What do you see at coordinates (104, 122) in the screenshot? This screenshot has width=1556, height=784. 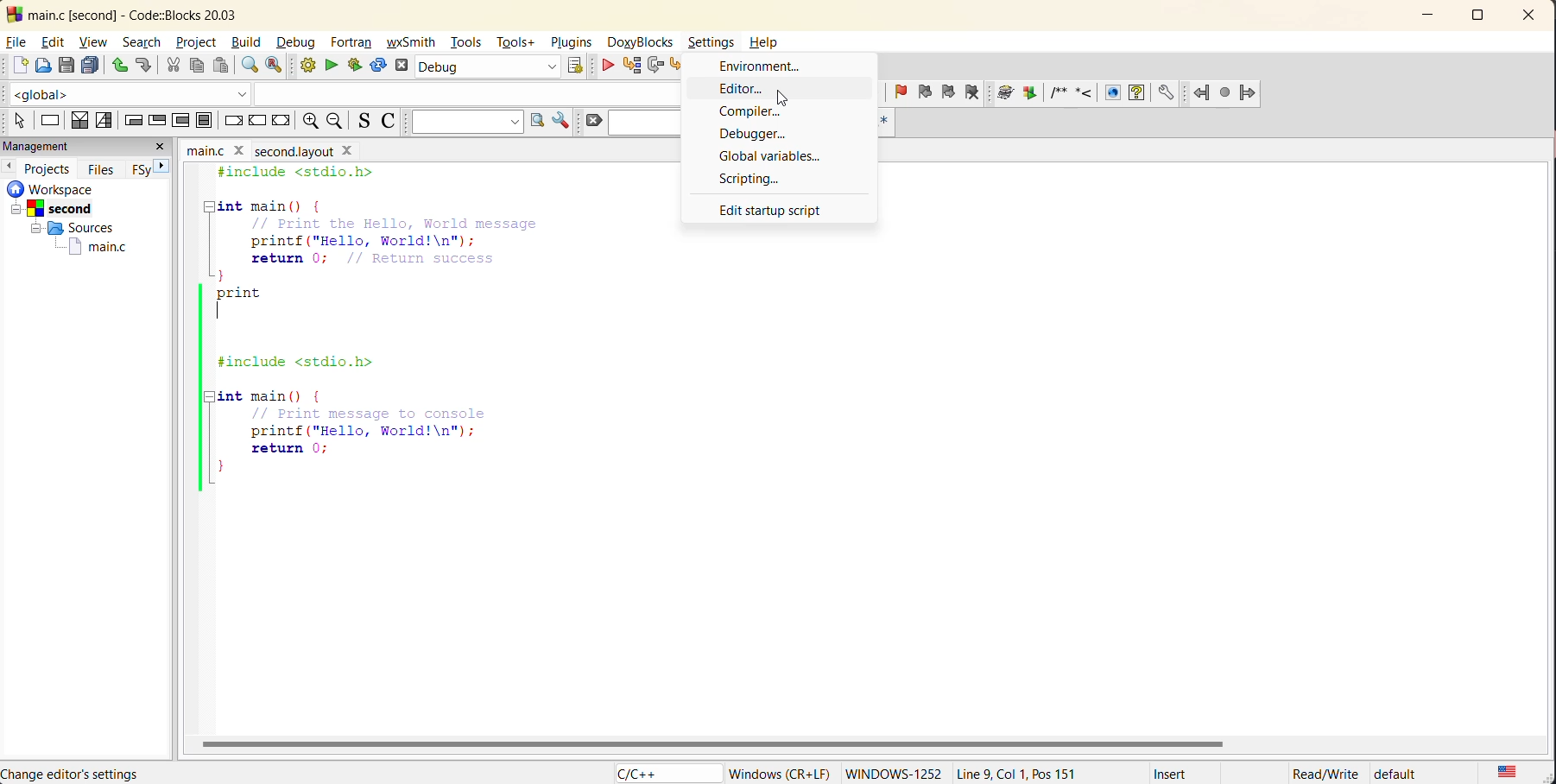 I see `selection` at bounding box center [104, 122].